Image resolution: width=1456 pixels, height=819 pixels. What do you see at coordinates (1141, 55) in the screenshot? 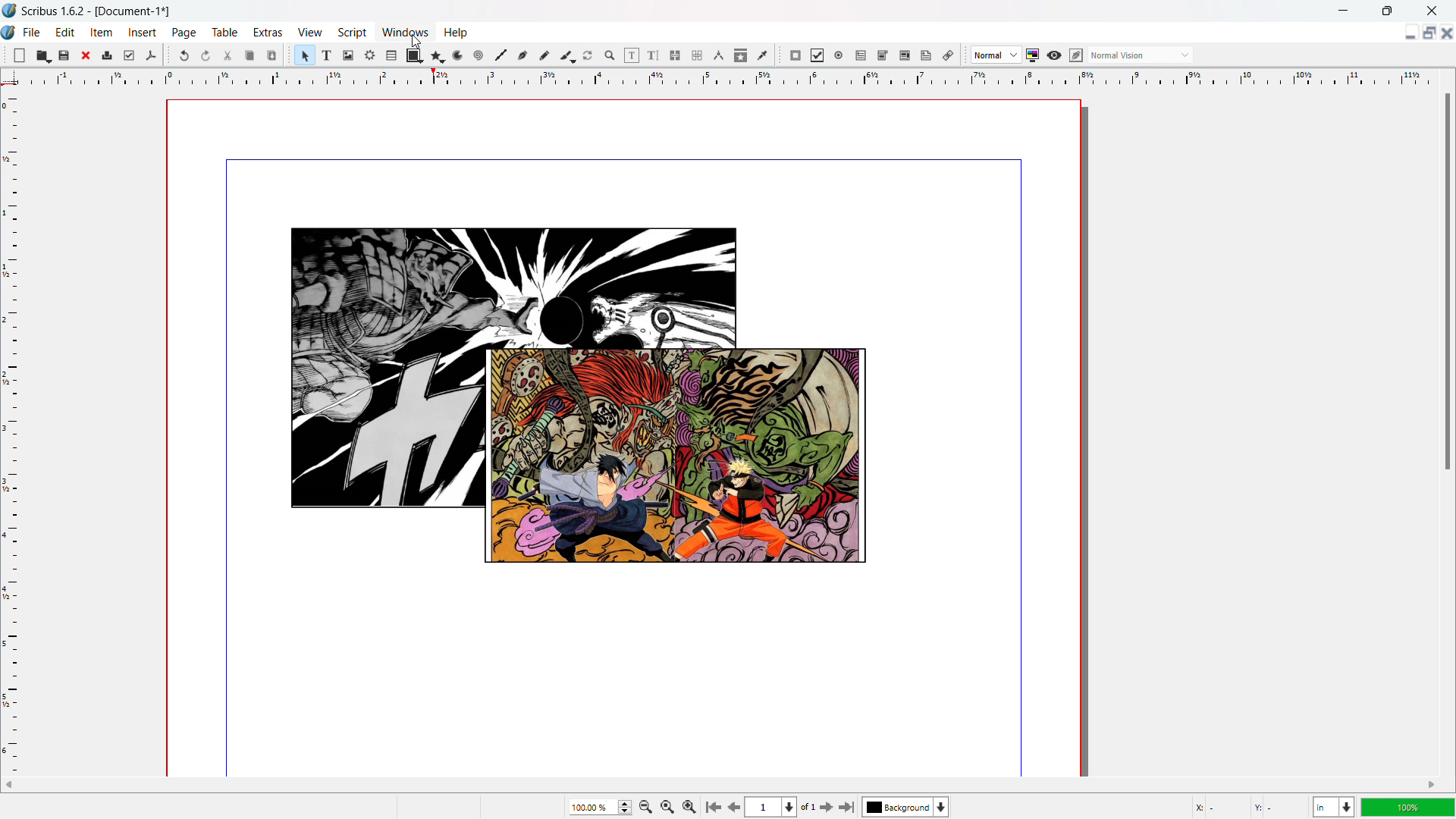
I see `select the visyal appearance of the display` at bounding box center [1141, 55].